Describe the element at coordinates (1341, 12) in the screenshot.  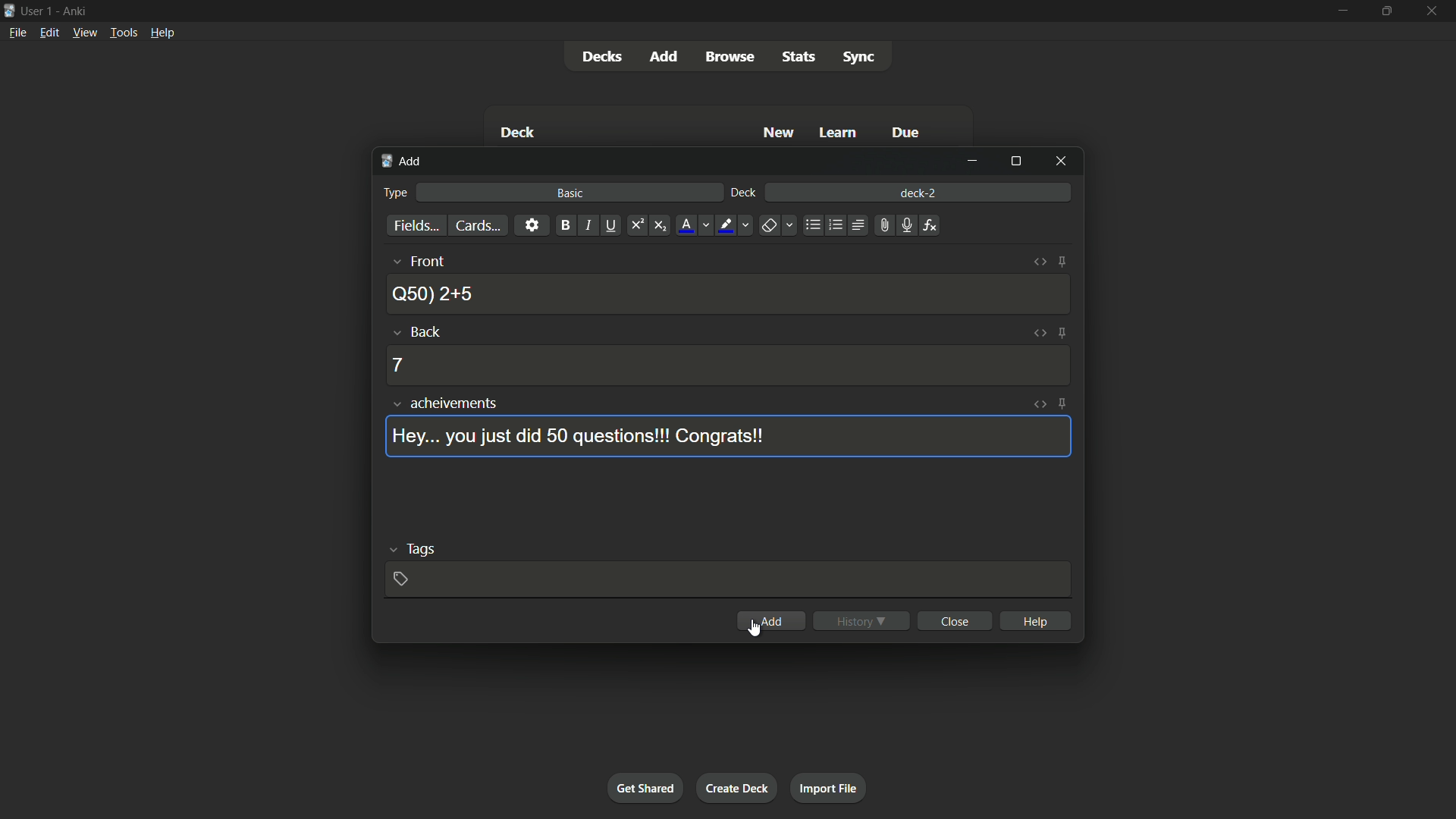
I see `minimize` at that location.